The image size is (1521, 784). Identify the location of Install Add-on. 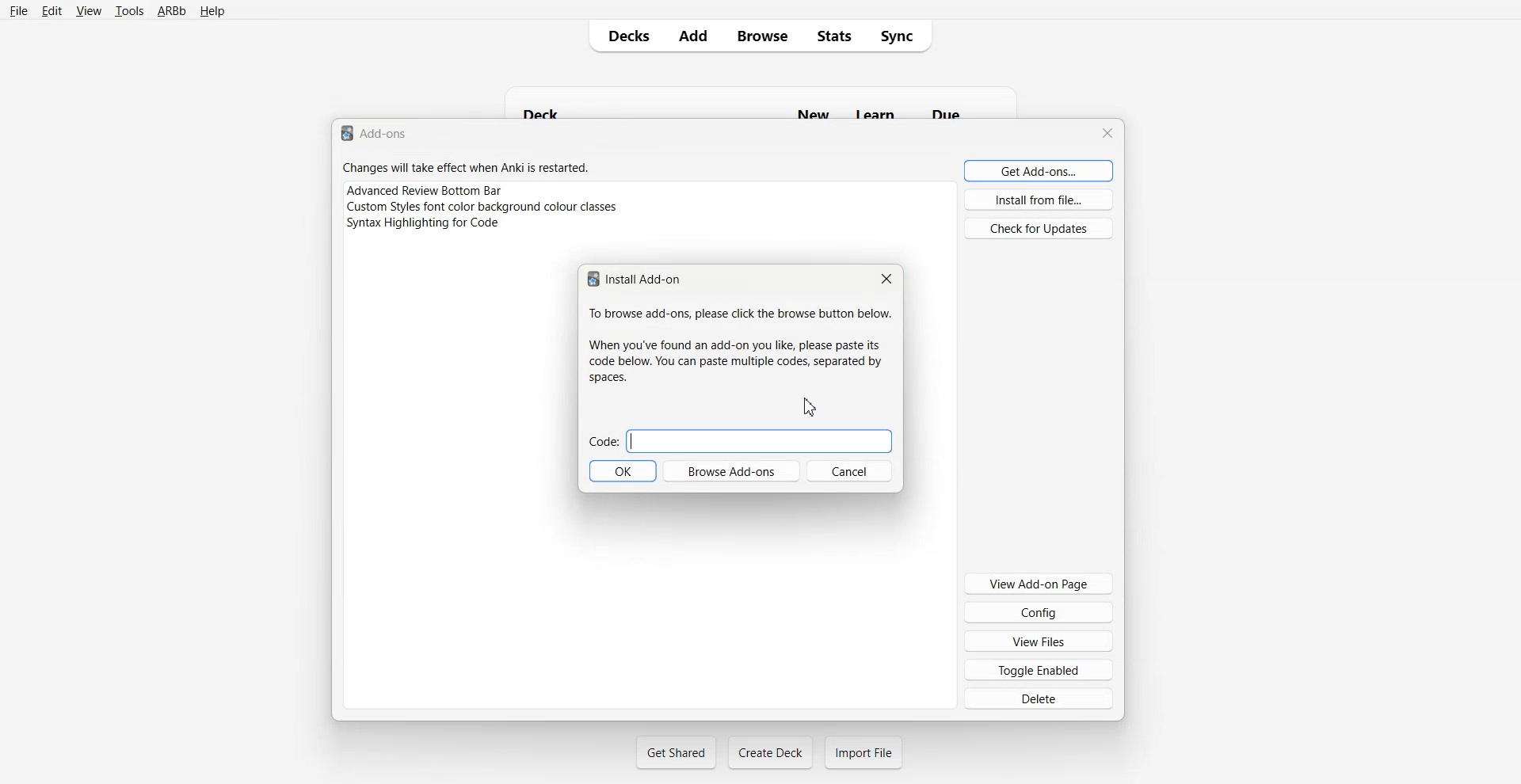
(635, 280).